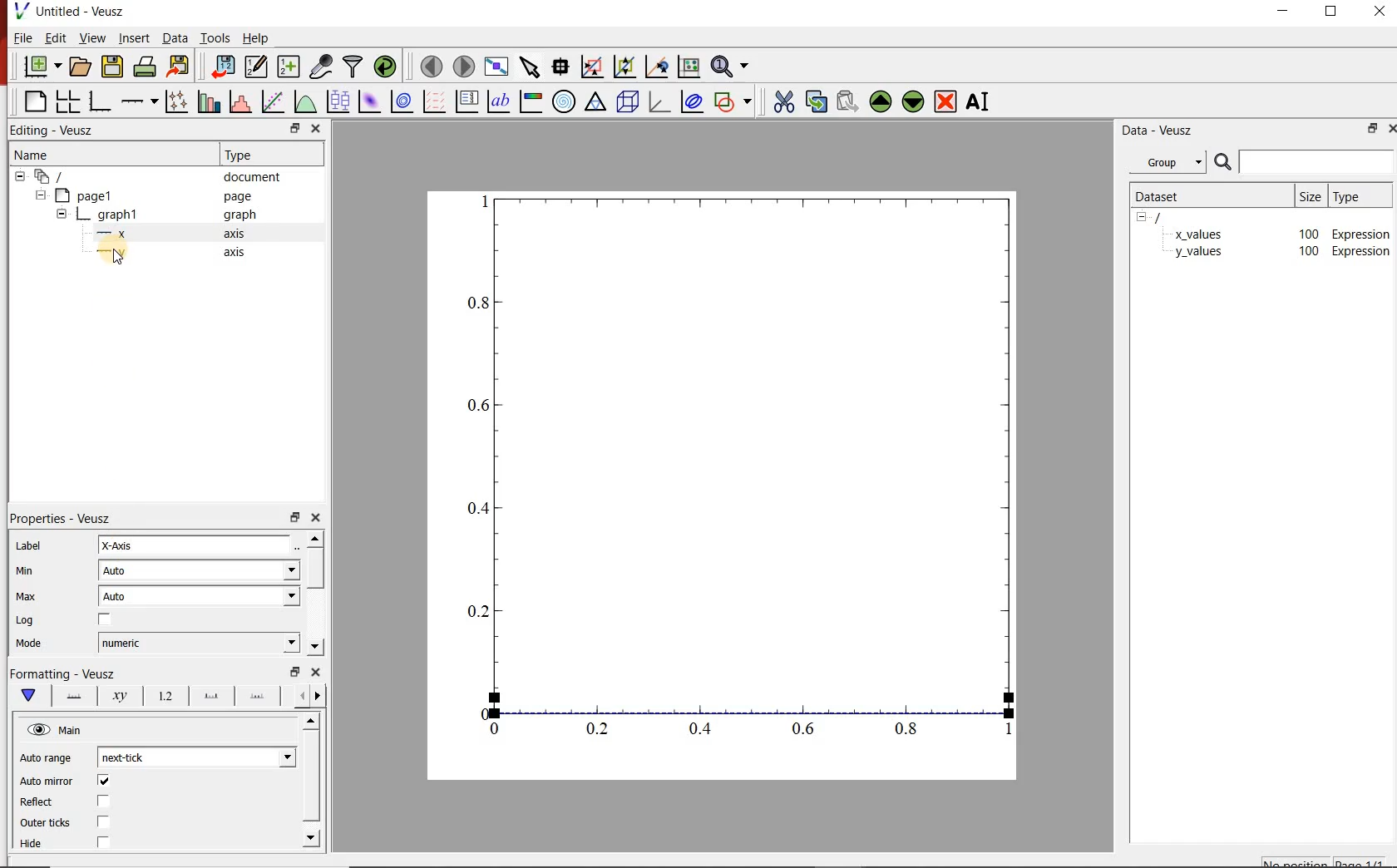  I want to click on Label, so click(29, 546).